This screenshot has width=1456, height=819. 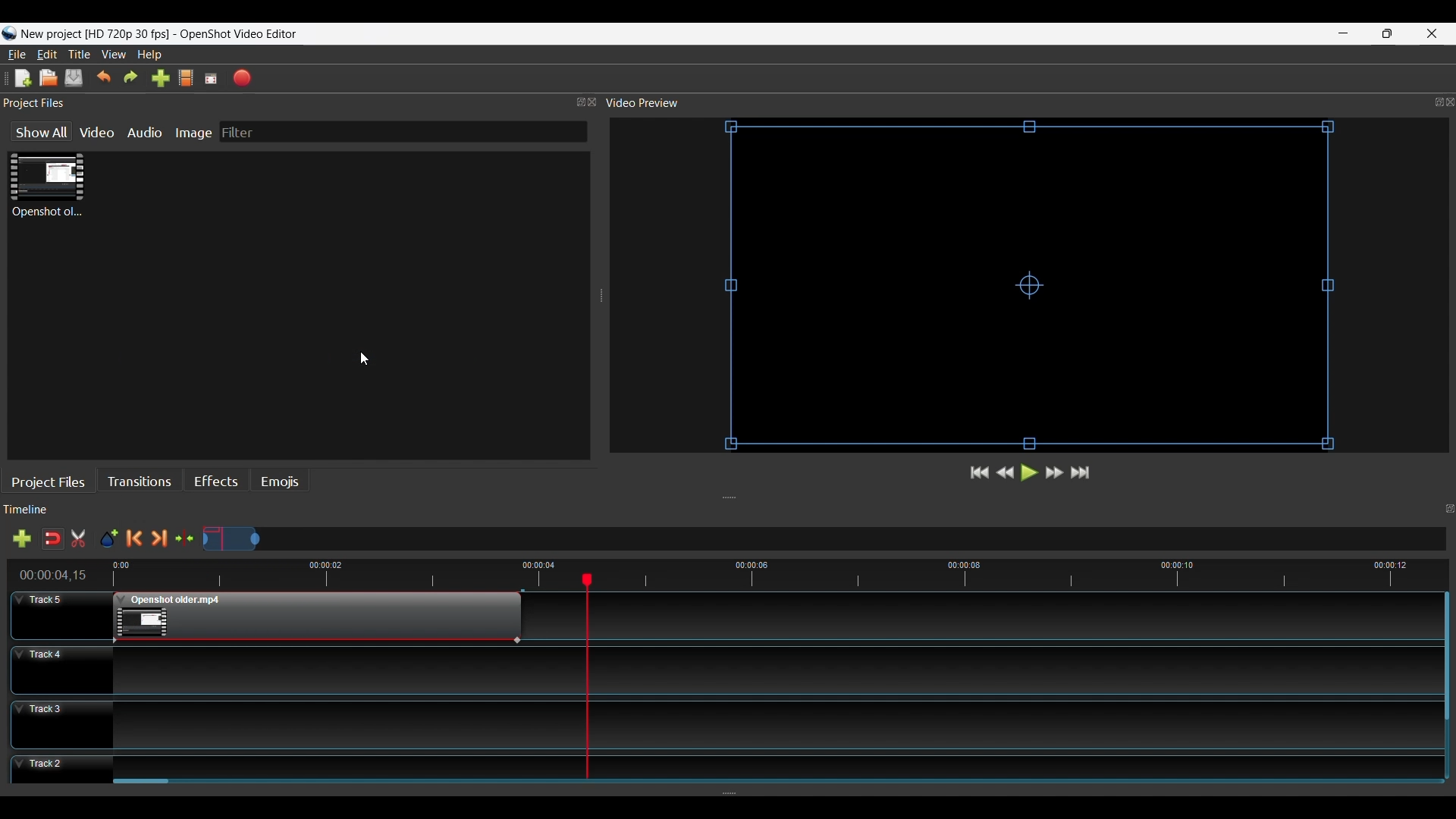 I want to click on Jump to End, so click(x=1082, y=473).